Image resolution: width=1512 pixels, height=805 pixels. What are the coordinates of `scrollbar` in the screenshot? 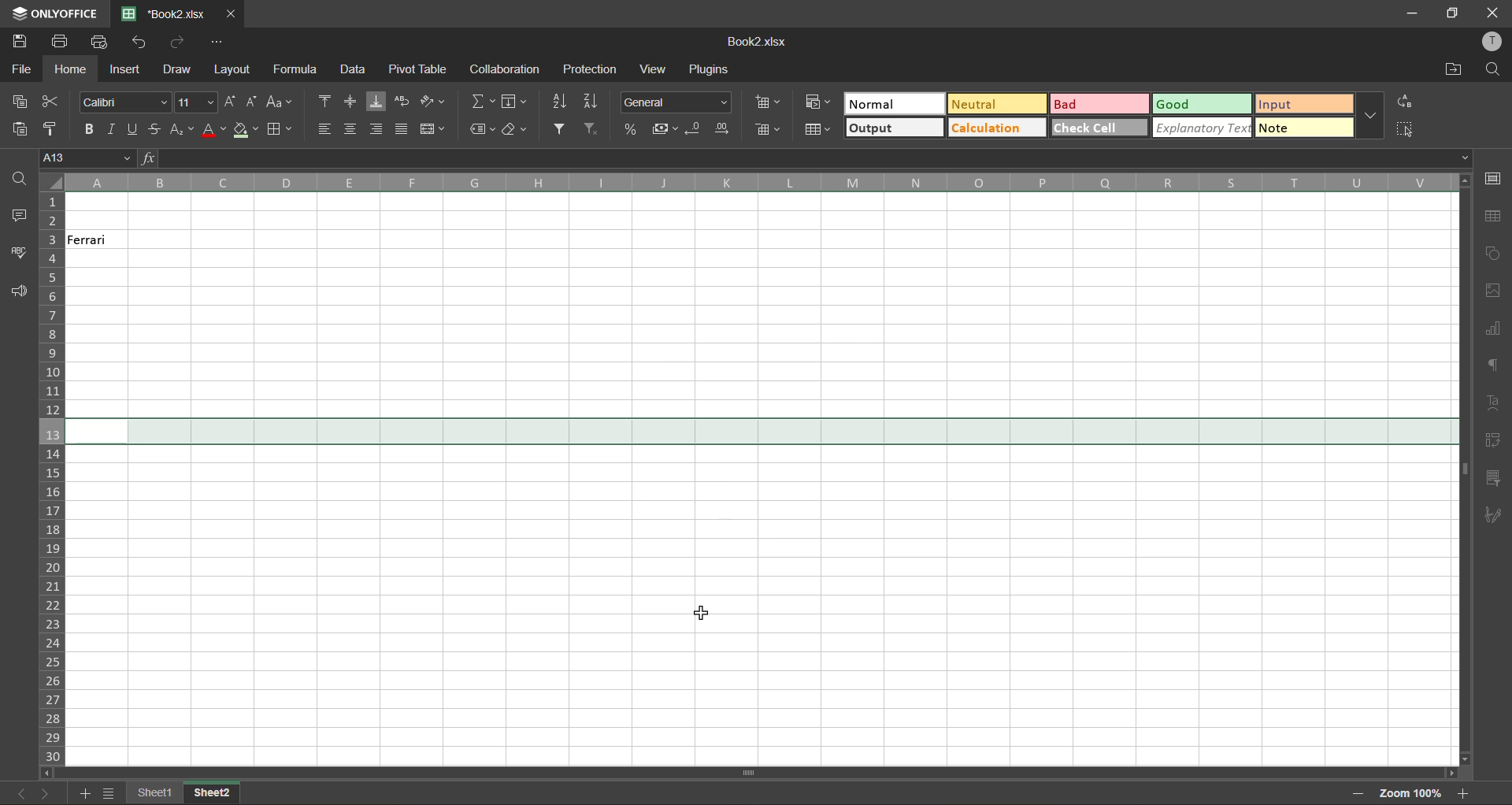 It's located at (1464, 469).